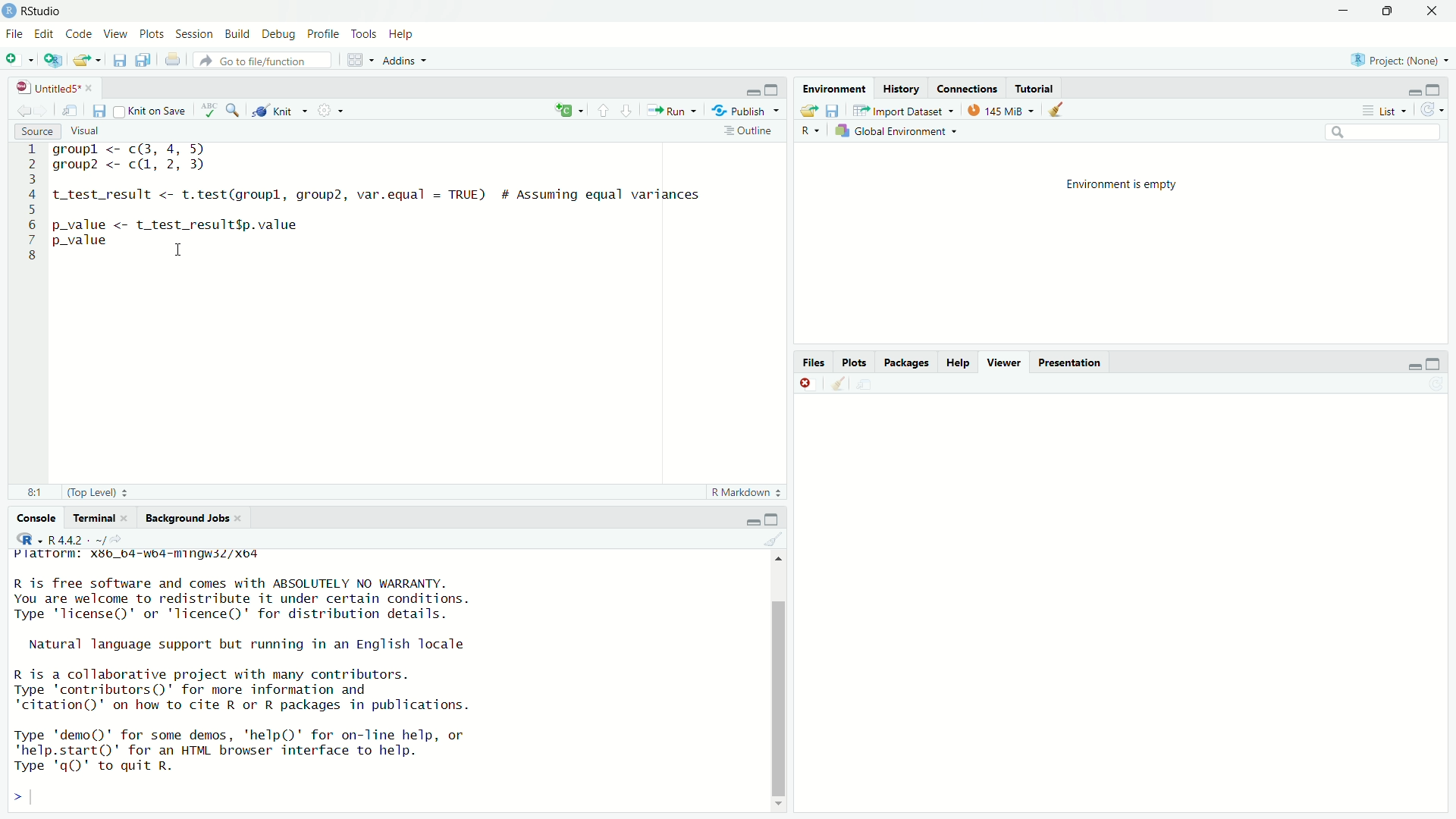  What do you see at coordinates (115, 30) in the screenshot?
I see `View` at bounding box center [115, 30].